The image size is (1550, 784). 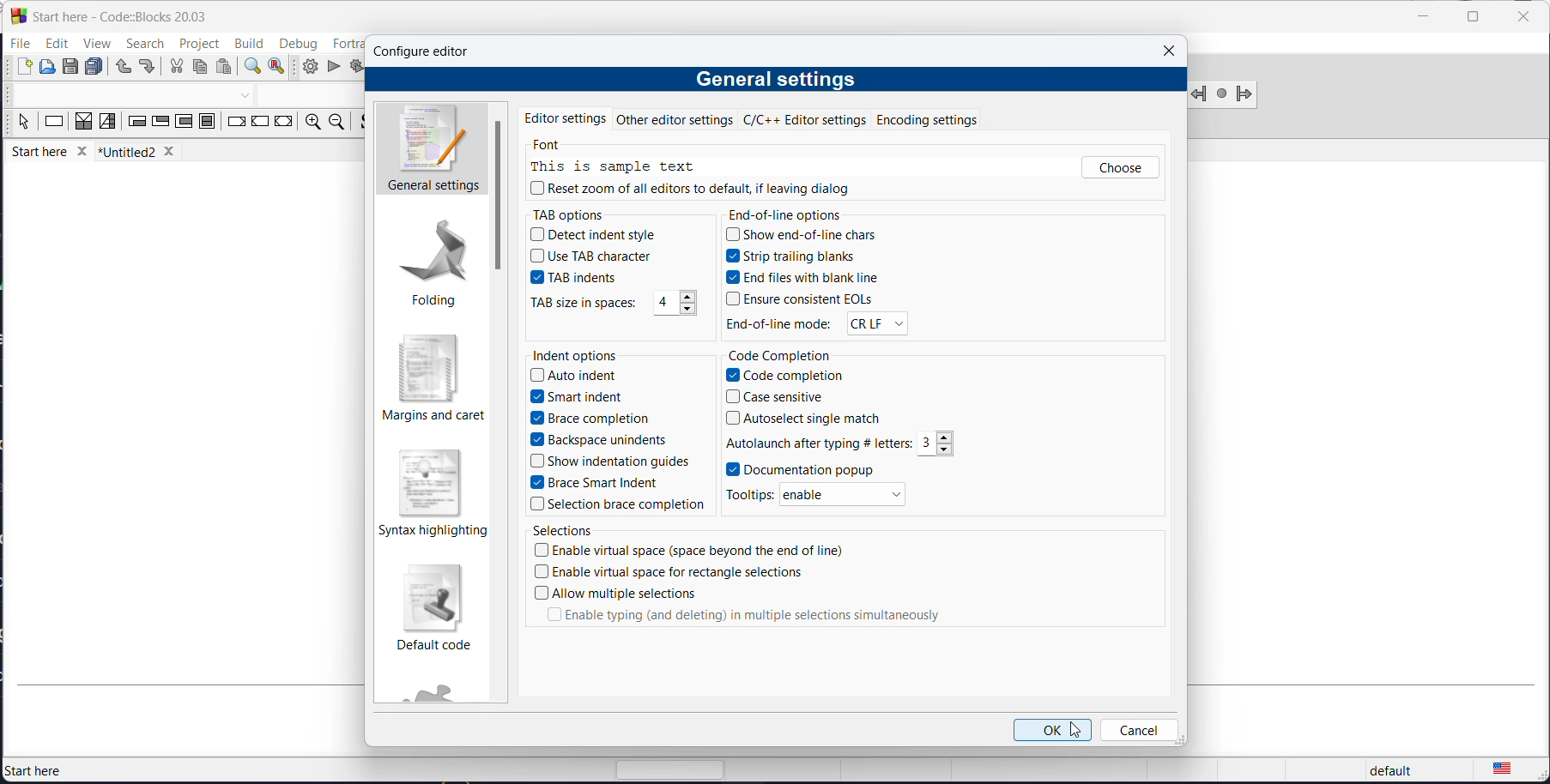 What do you see at coordinates (1051, 729) in the screenshot?
I see `ok` at bounding box center [1051, 729].